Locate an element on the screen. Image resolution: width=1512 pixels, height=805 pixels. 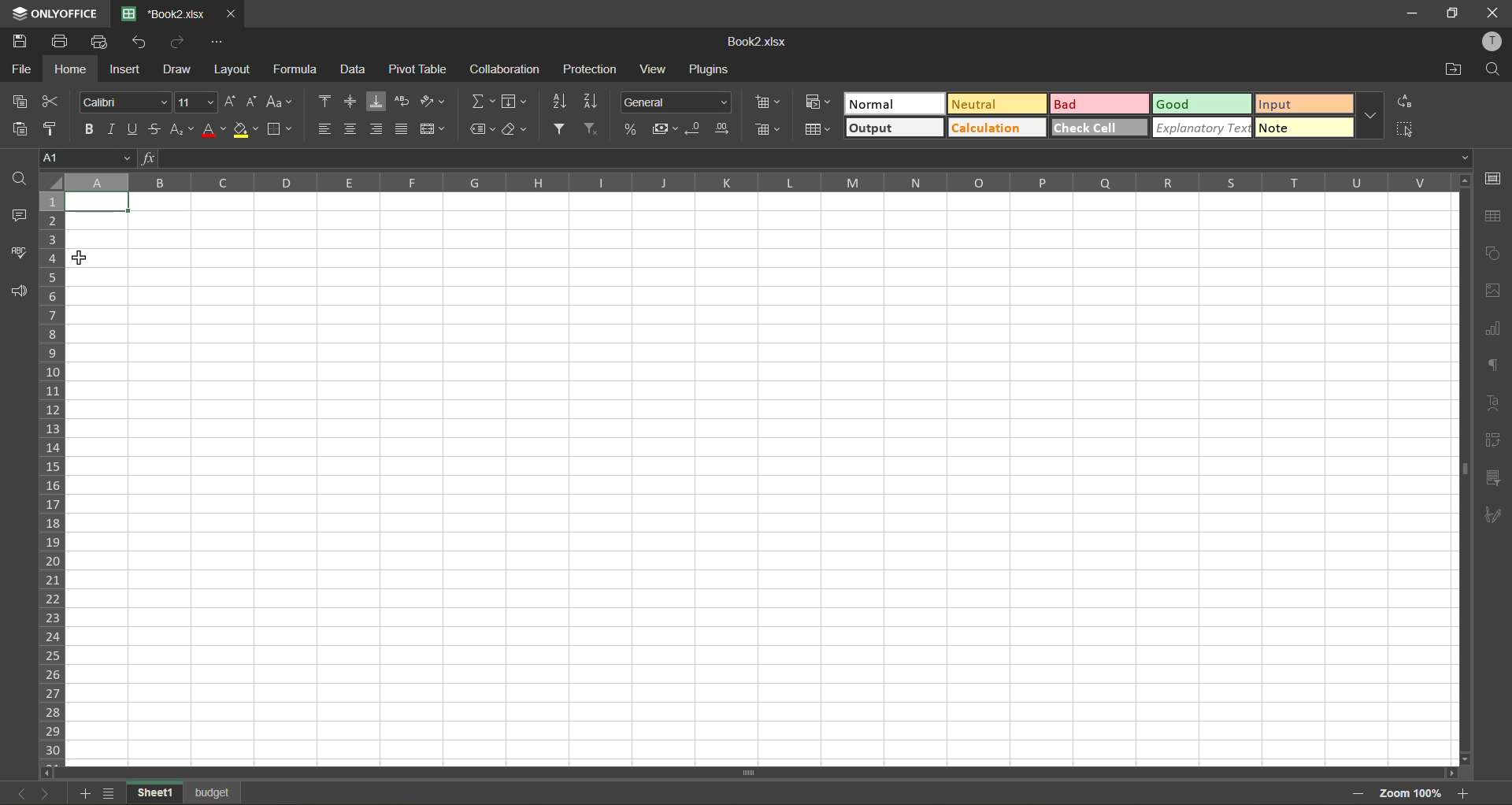
accounting is located at coordinates (666, 127).